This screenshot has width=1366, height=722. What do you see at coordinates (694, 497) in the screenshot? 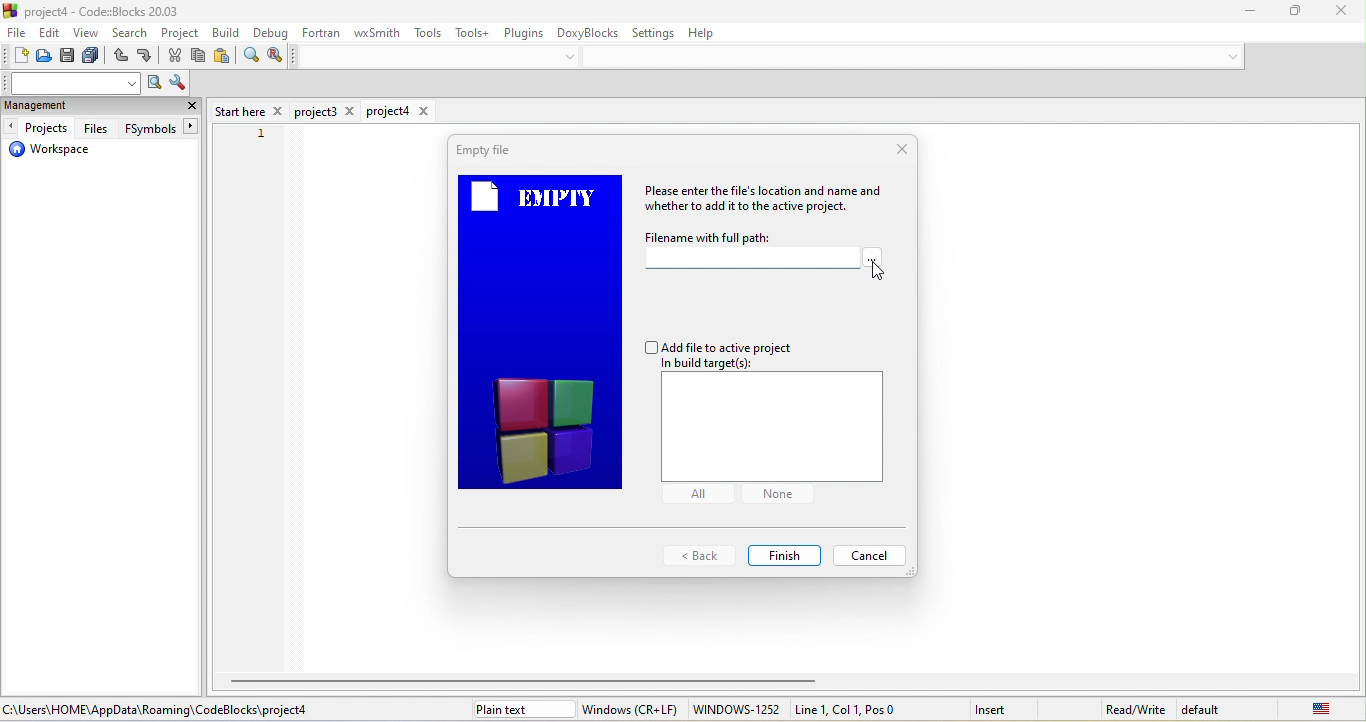
I see `all` at bounding box center [694, 497].